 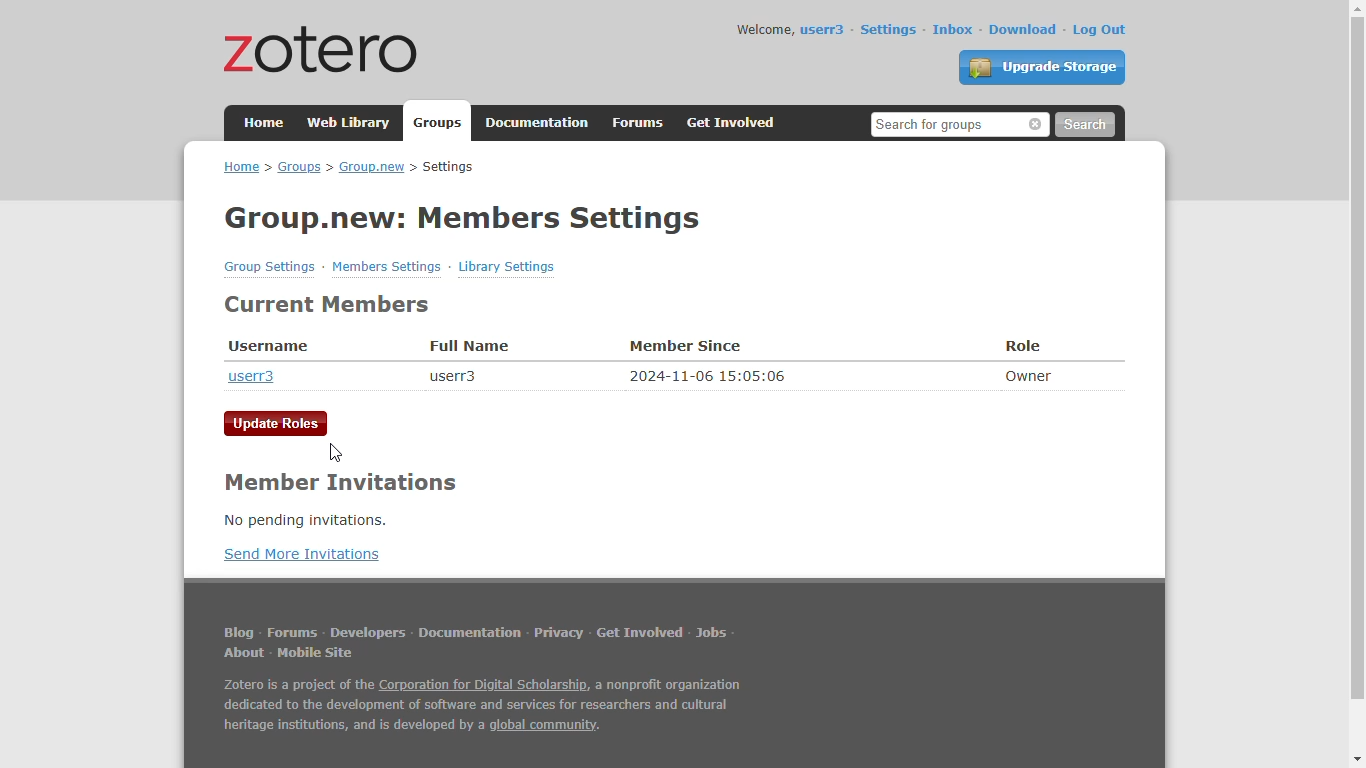 What do you see at coordinates (271, 267) in the screenshot?
I see `groups settings` at bounding box center [271, 267].